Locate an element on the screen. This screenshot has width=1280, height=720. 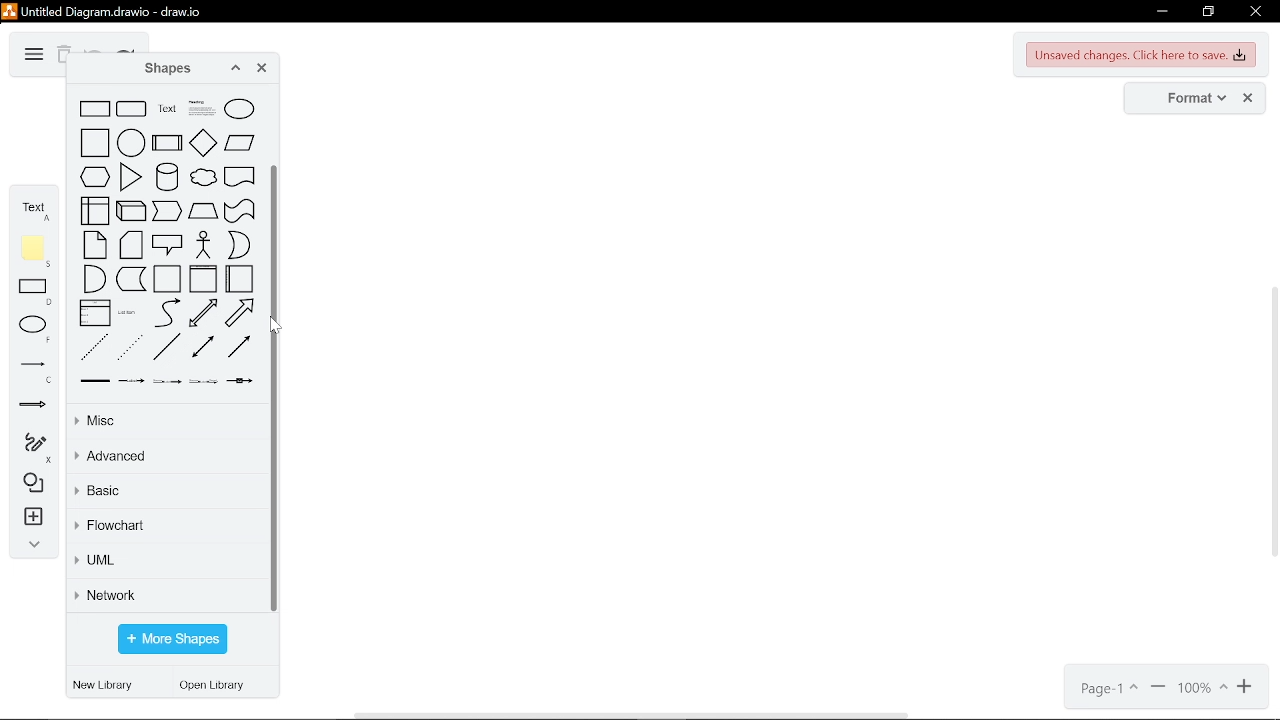
link is located at coordinates (95, 381).